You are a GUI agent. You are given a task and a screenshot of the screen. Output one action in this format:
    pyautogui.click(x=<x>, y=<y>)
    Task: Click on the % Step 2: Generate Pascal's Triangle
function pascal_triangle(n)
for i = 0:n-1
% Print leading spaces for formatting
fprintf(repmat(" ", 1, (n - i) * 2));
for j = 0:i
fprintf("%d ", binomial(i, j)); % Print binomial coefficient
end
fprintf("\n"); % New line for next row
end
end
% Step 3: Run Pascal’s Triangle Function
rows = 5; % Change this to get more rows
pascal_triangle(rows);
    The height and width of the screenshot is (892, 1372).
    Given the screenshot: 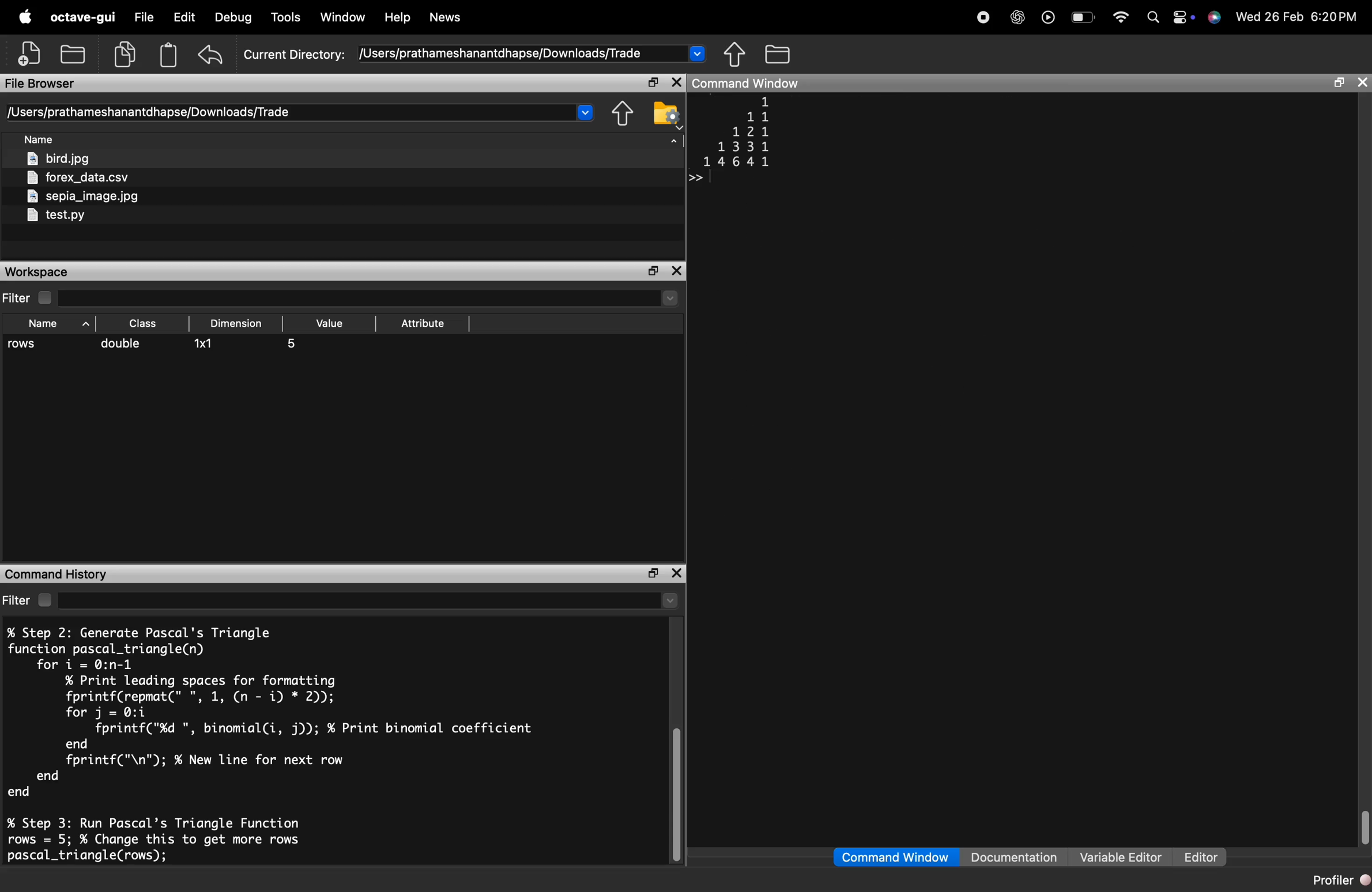 What is the action you would take?
    pyautogui.click(x=270, y=744)
    